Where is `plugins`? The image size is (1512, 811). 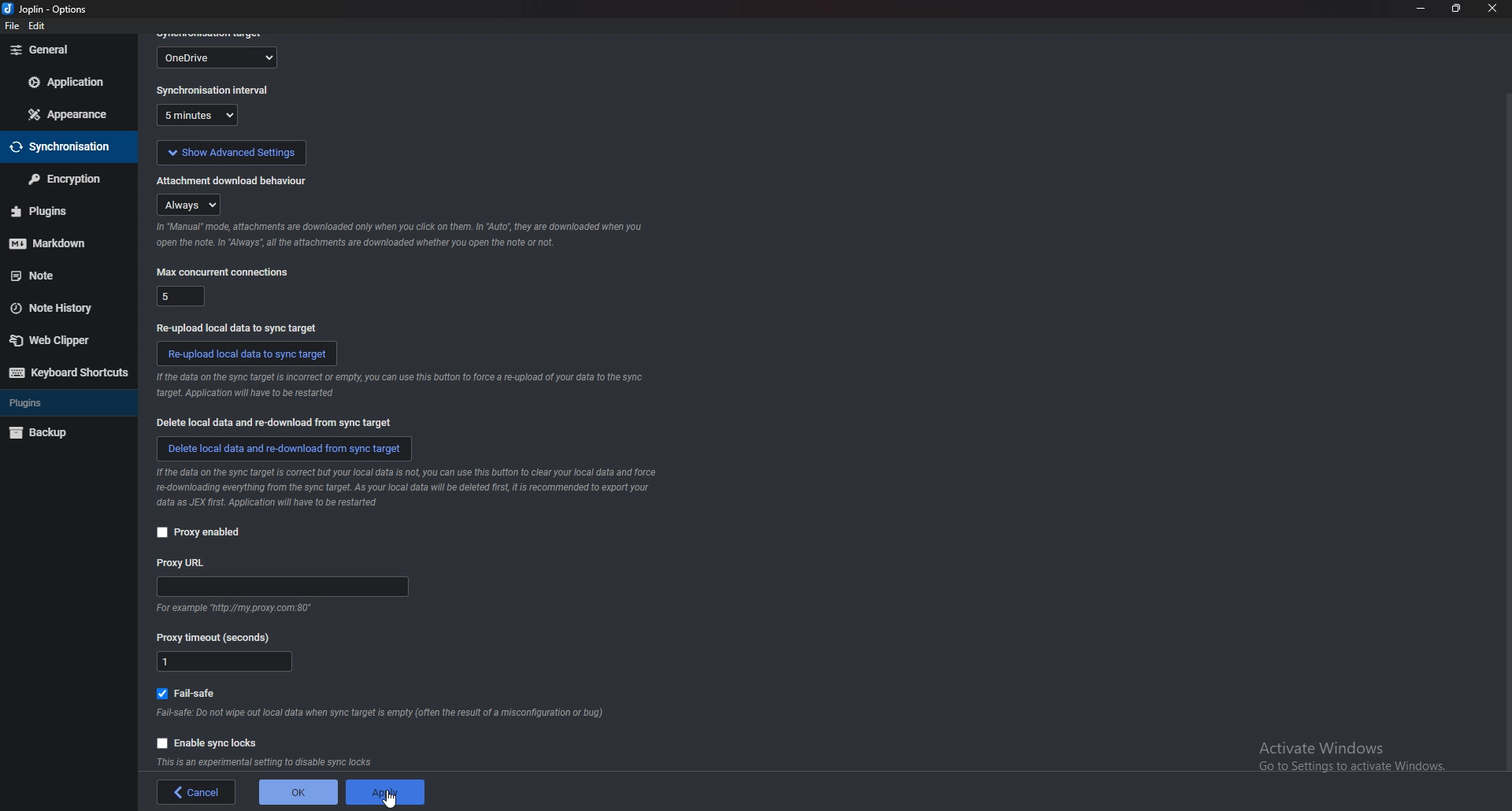 plugins is located at coordinates (61, 405).